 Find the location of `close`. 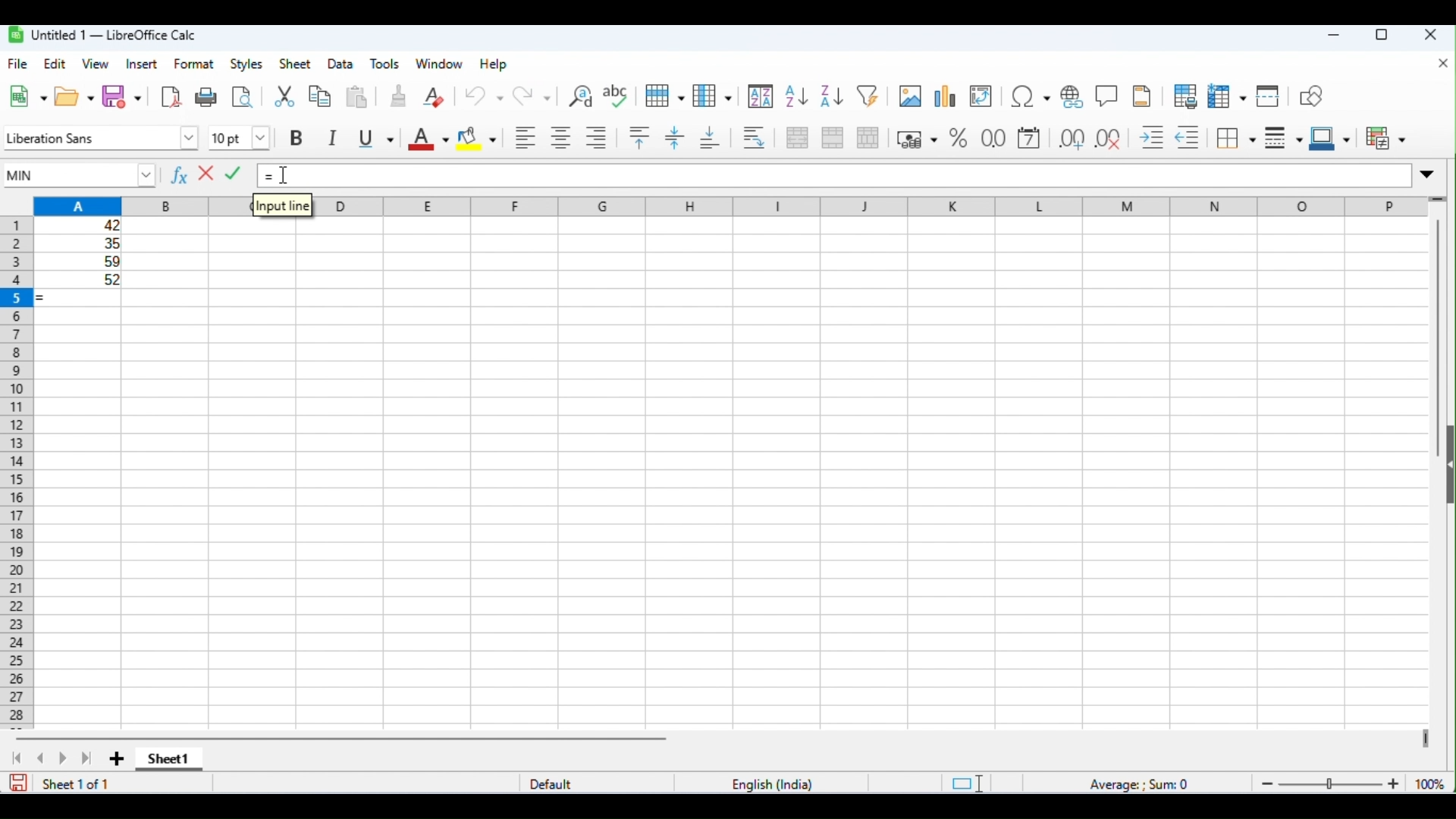

close is located at coordinates (1443, 64).